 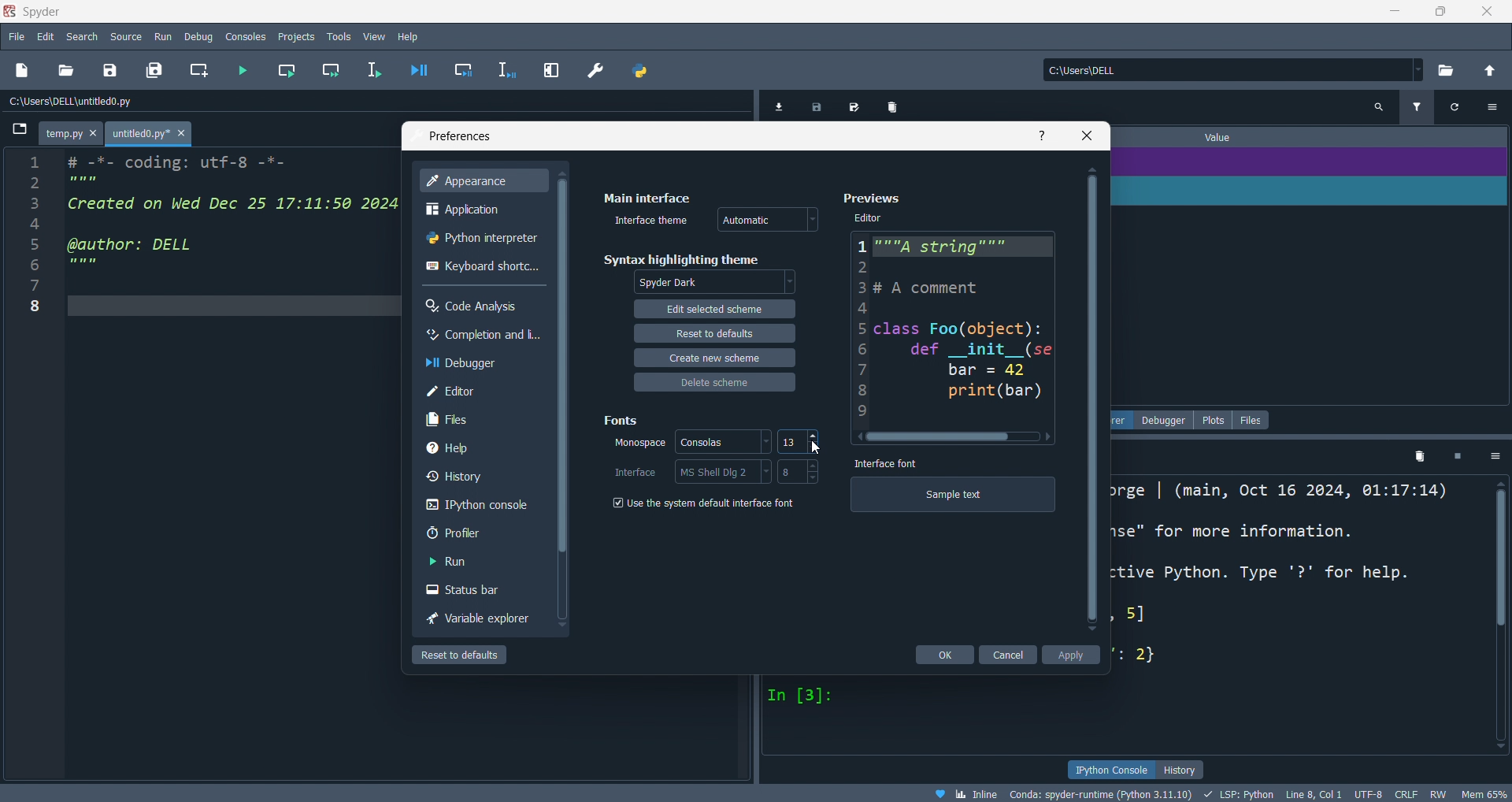 What do you see at coordinates (113, 70) in the screenshot?
I see `save` at bounding box center [113, 70].